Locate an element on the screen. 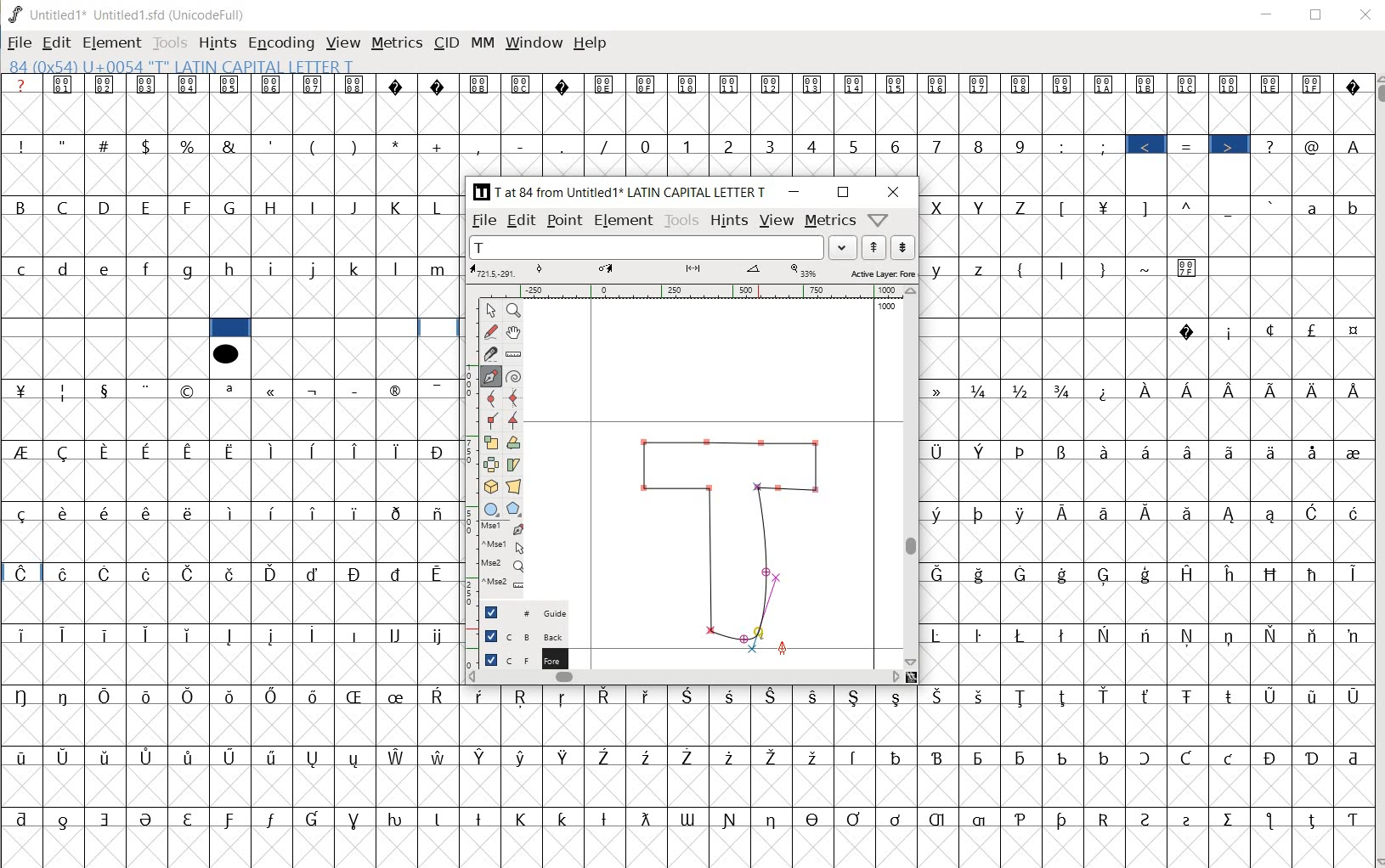  edit is located at coordinates (523, 219).